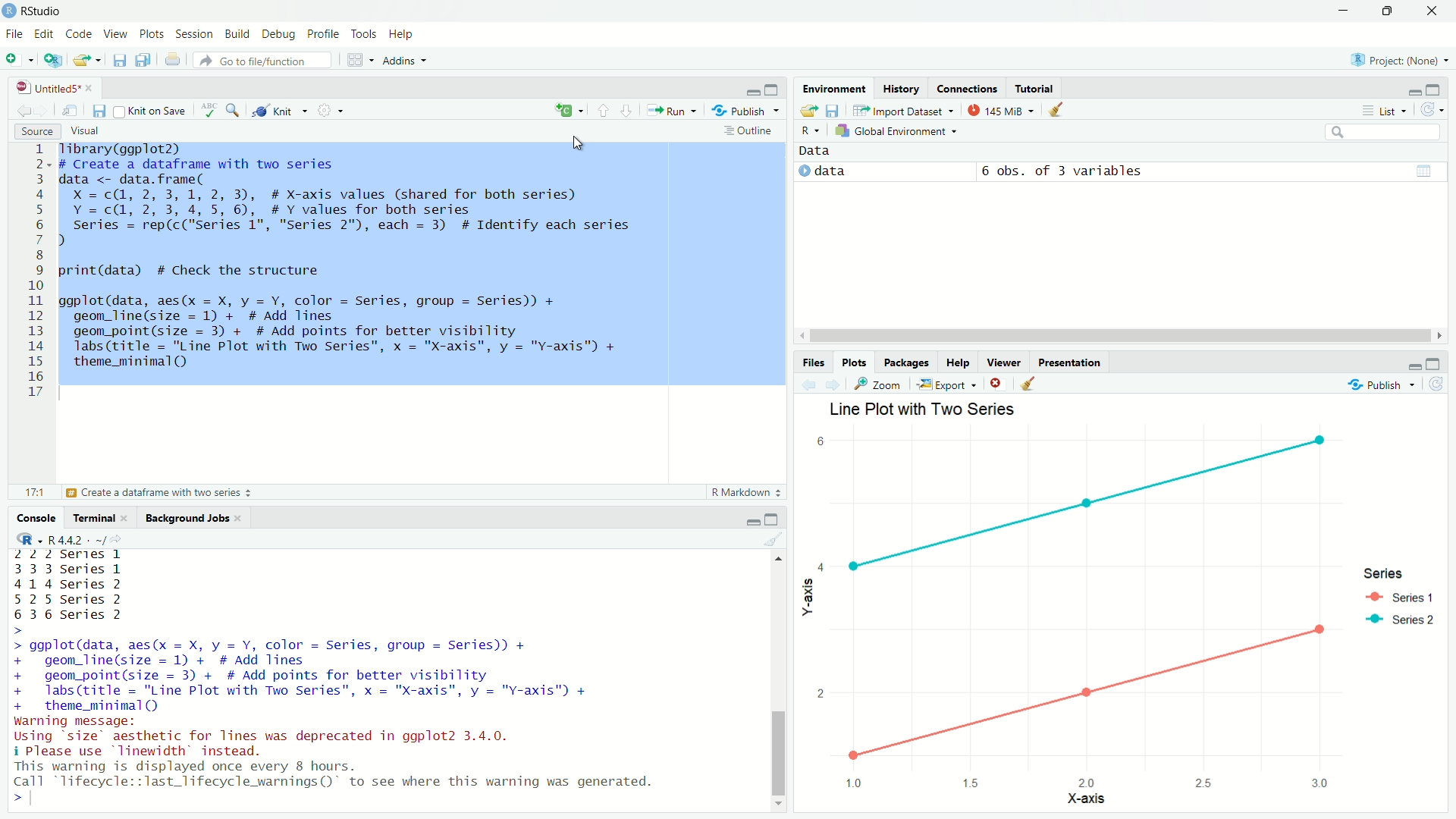  What do you see at coordinates (404, 35) in the screenshot?
I see `Help` at bounding box center [404, 35].